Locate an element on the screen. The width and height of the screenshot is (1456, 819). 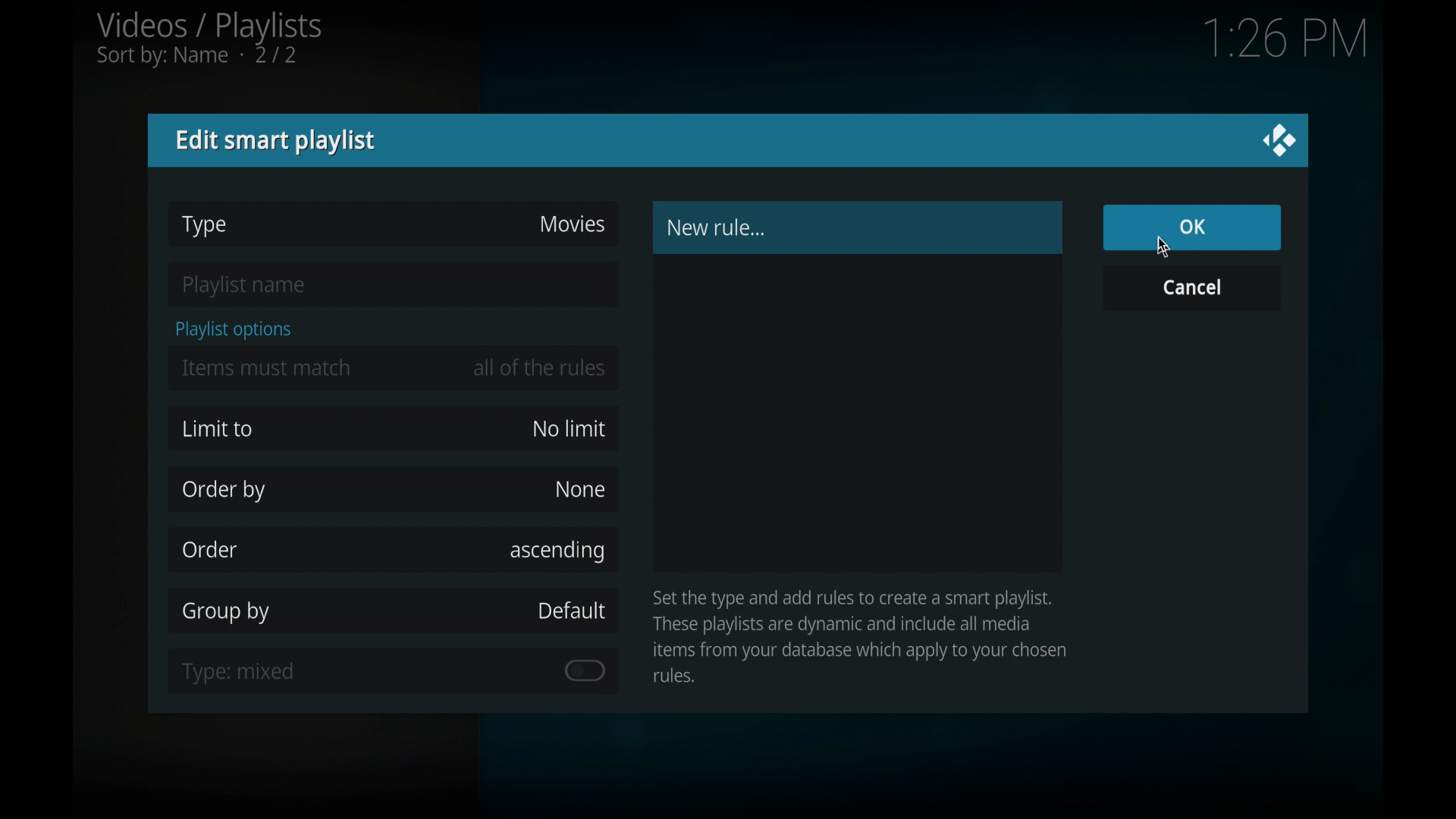
videos/playlists is located at coordinates (209, 39).